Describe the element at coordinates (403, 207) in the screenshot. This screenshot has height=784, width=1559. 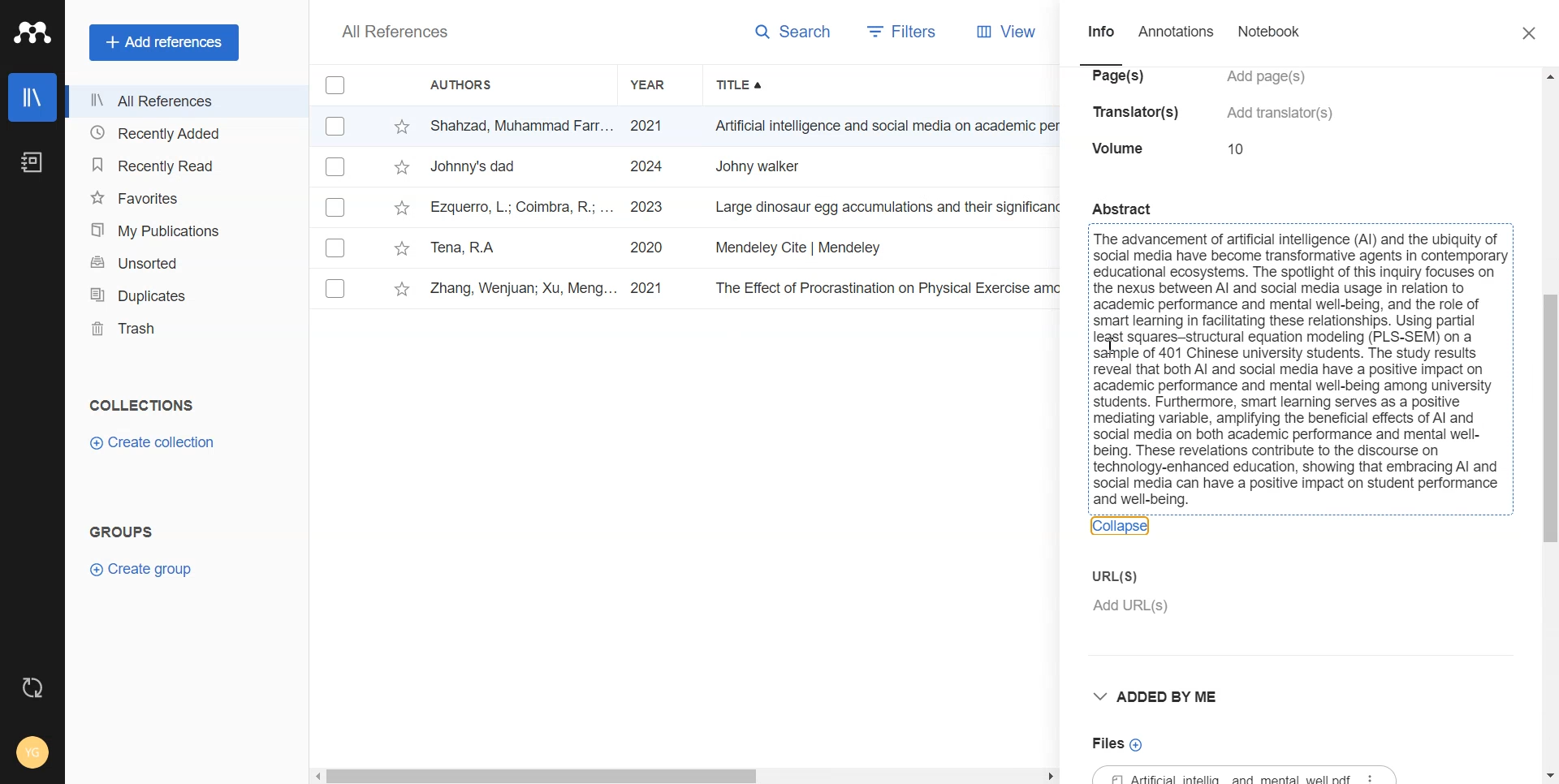
I see `star` at that location.